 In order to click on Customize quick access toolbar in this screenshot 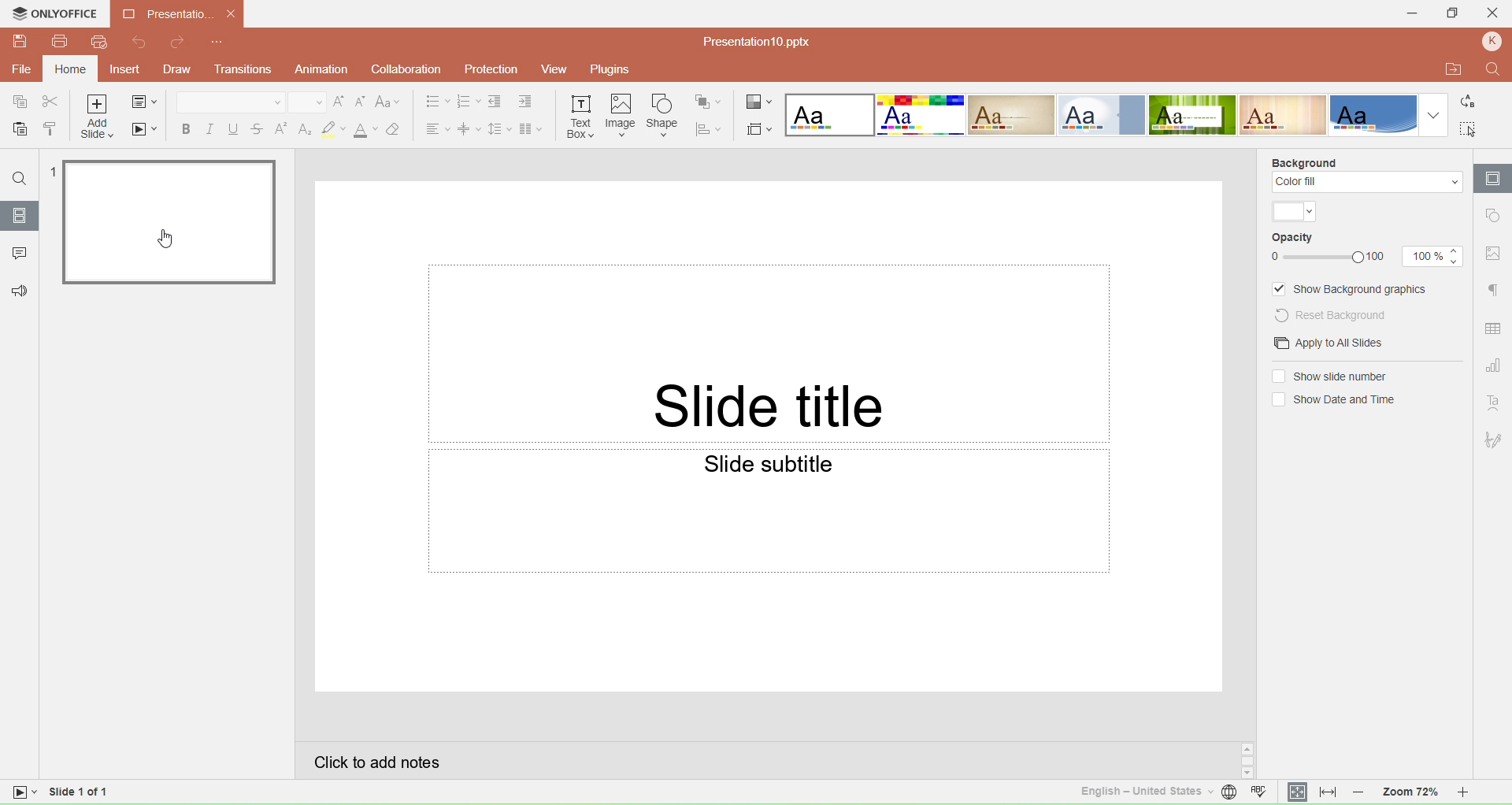, I will do `click(218, 43)`.